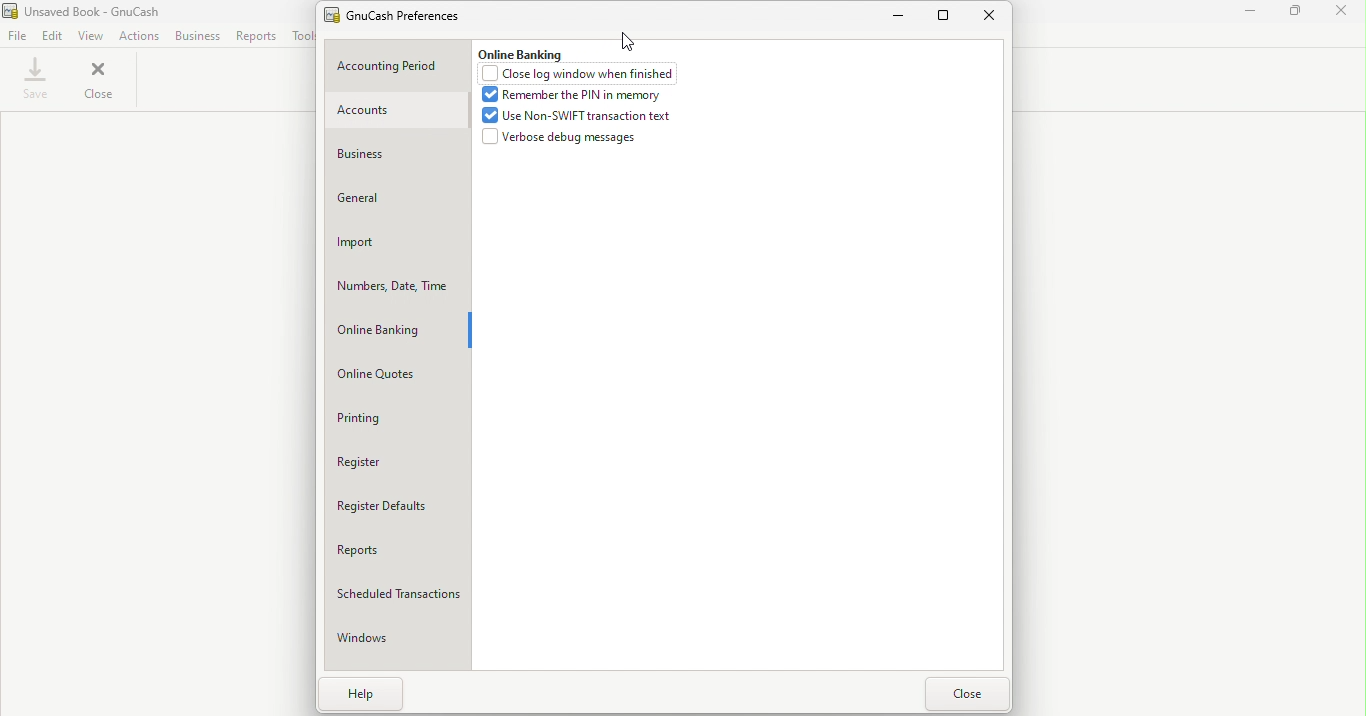 Image resolution: width=1366 pixels, height=716 pixels. What do you see at coordinates (254, 36) in the screenshot?
I see `Reports` at bounding box center [254, 36].